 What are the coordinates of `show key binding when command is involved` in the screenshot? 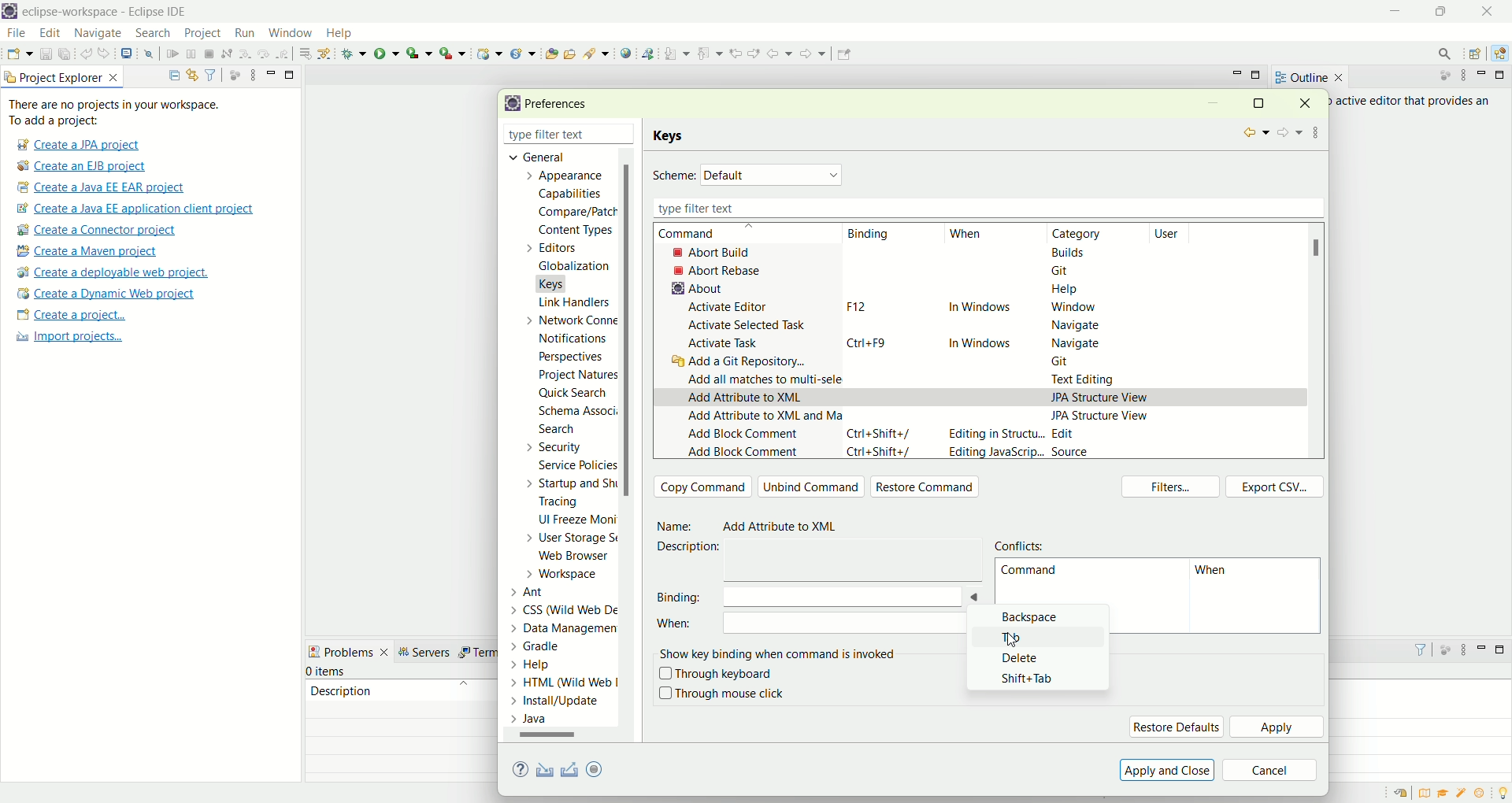 It's located at (781, 652).